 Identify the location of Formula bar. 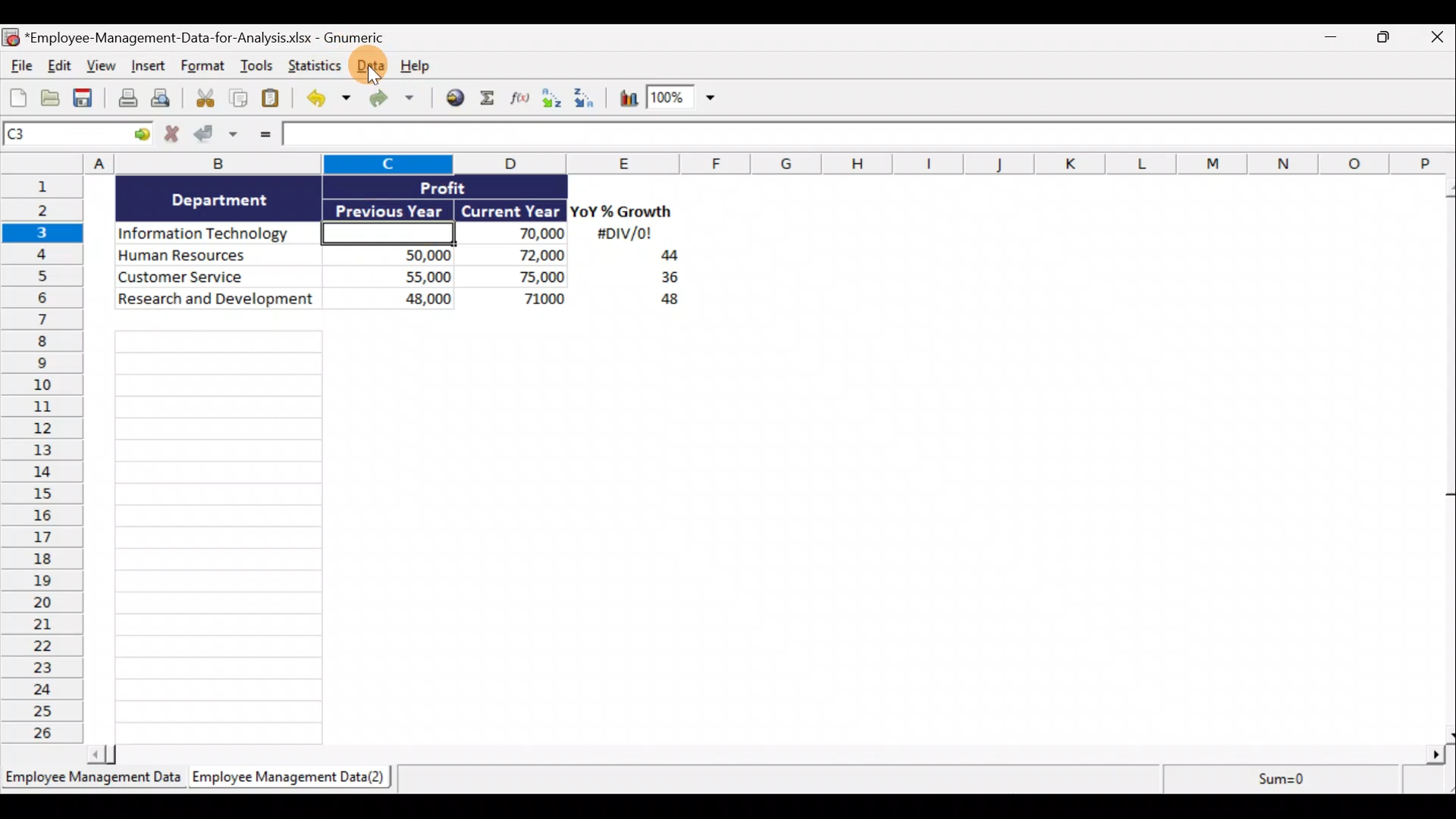
(868, 139).